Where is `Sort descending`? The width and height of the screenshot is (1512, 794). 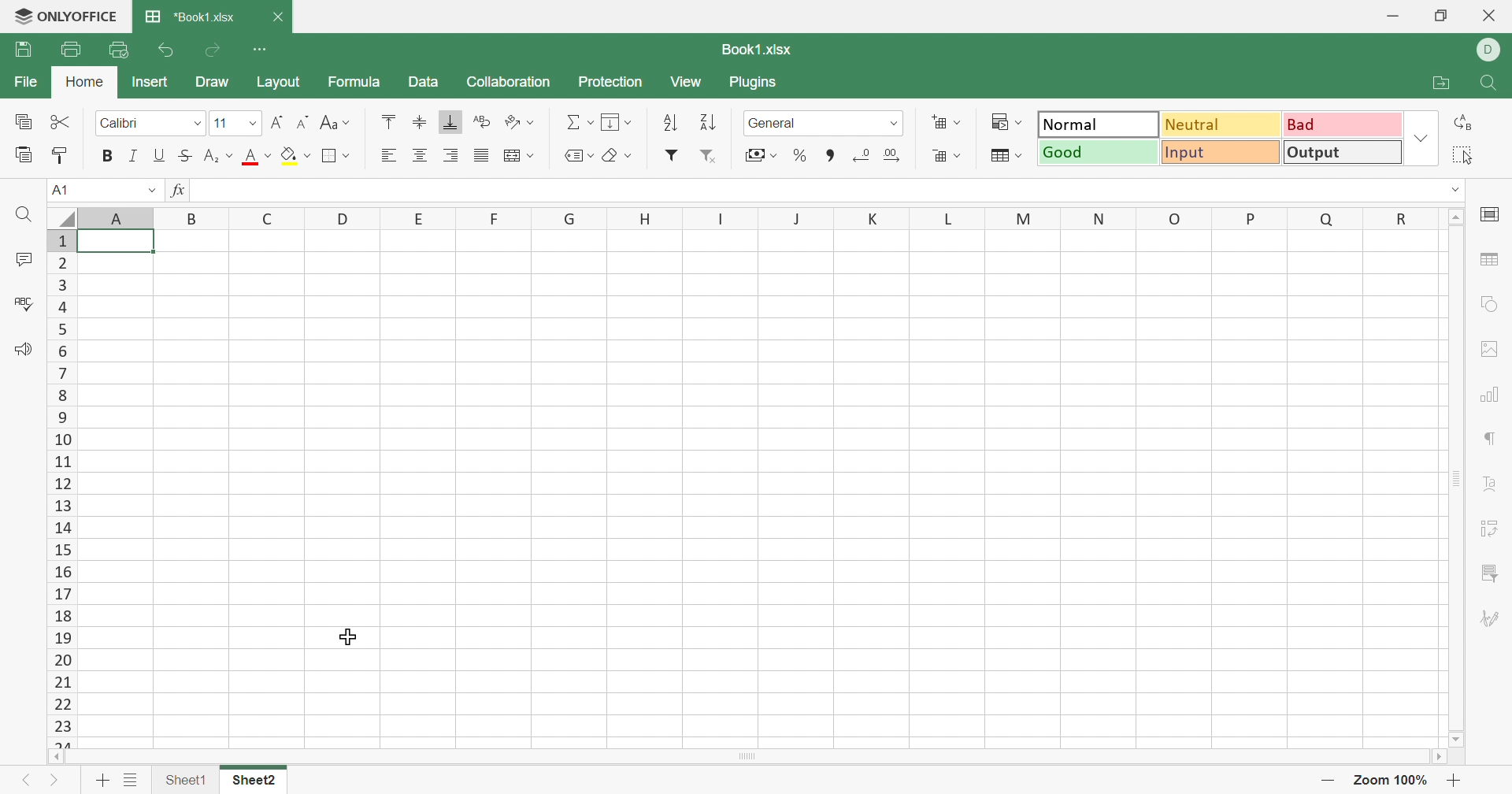
Sort descending is located at coordinates (708, 122).